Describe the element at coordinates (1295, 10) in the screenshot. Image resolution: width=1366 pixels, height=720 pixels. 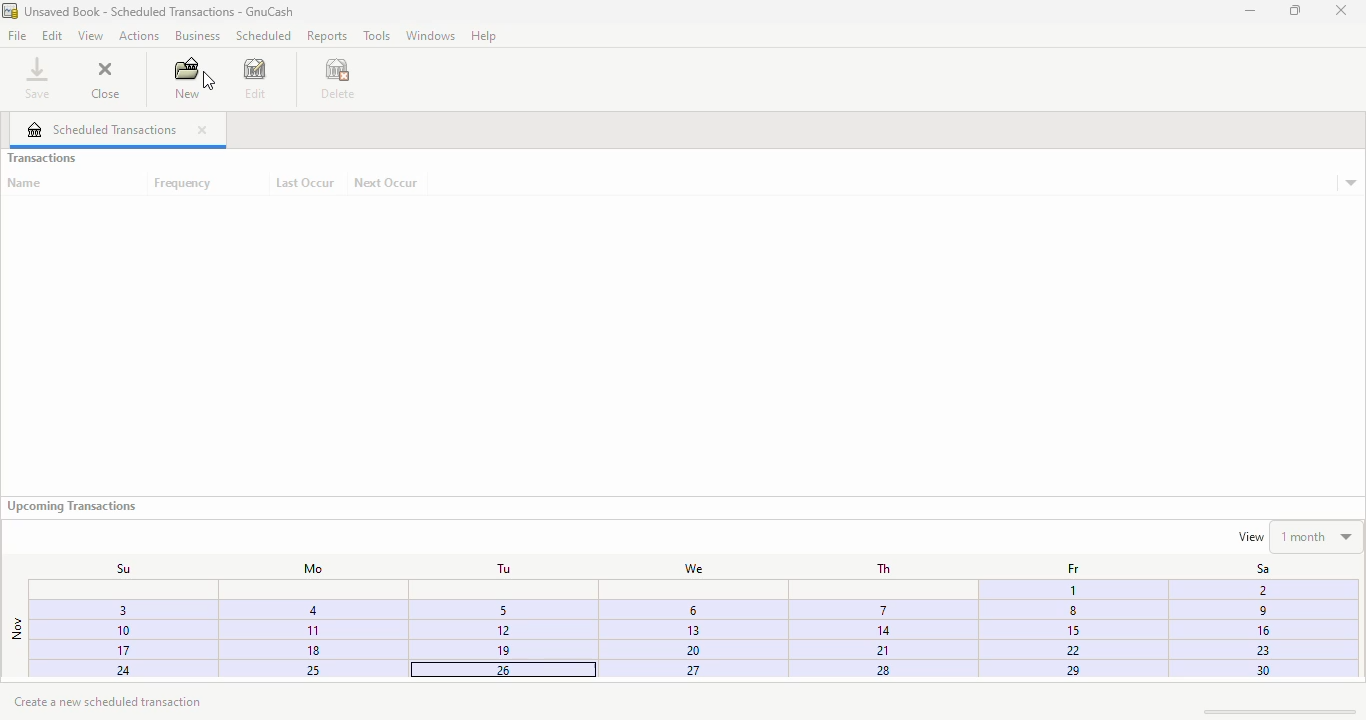
I see `maximize` at that location.